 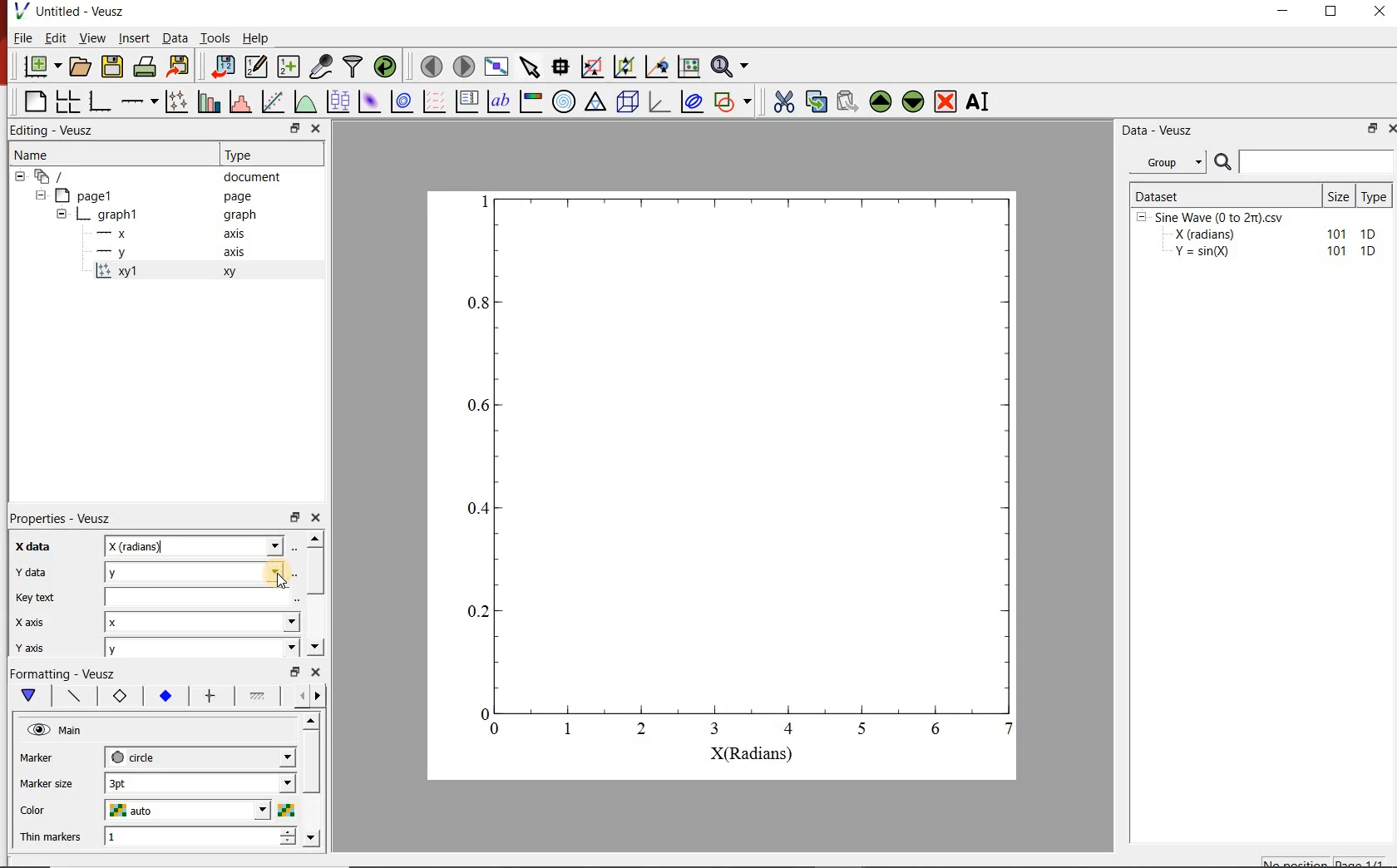 I want to click on export to graphics, so click(x=180, y=66).